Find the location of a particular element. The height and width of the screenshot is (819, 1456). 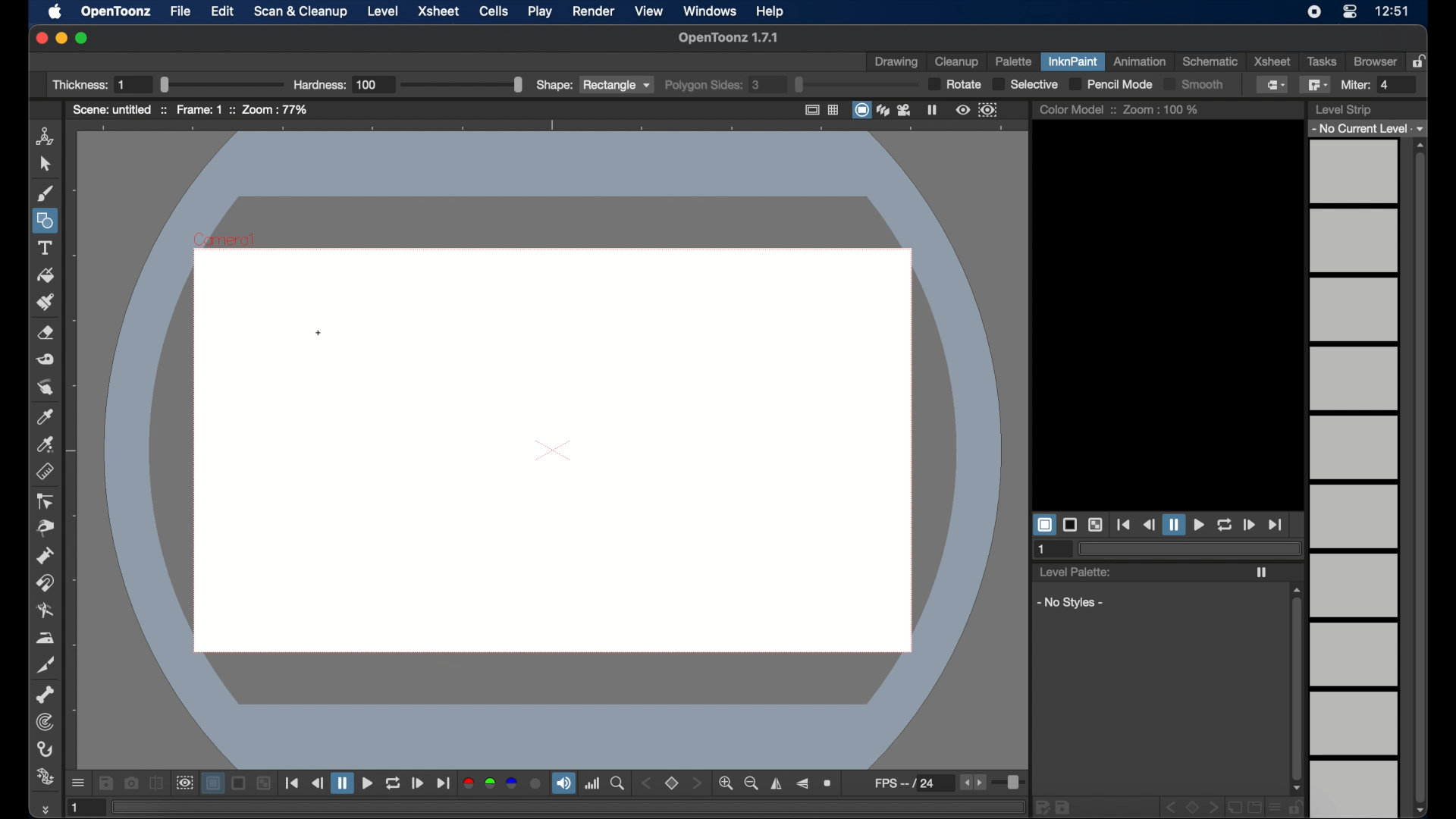

cleanup is located at coordinates (959, 61).